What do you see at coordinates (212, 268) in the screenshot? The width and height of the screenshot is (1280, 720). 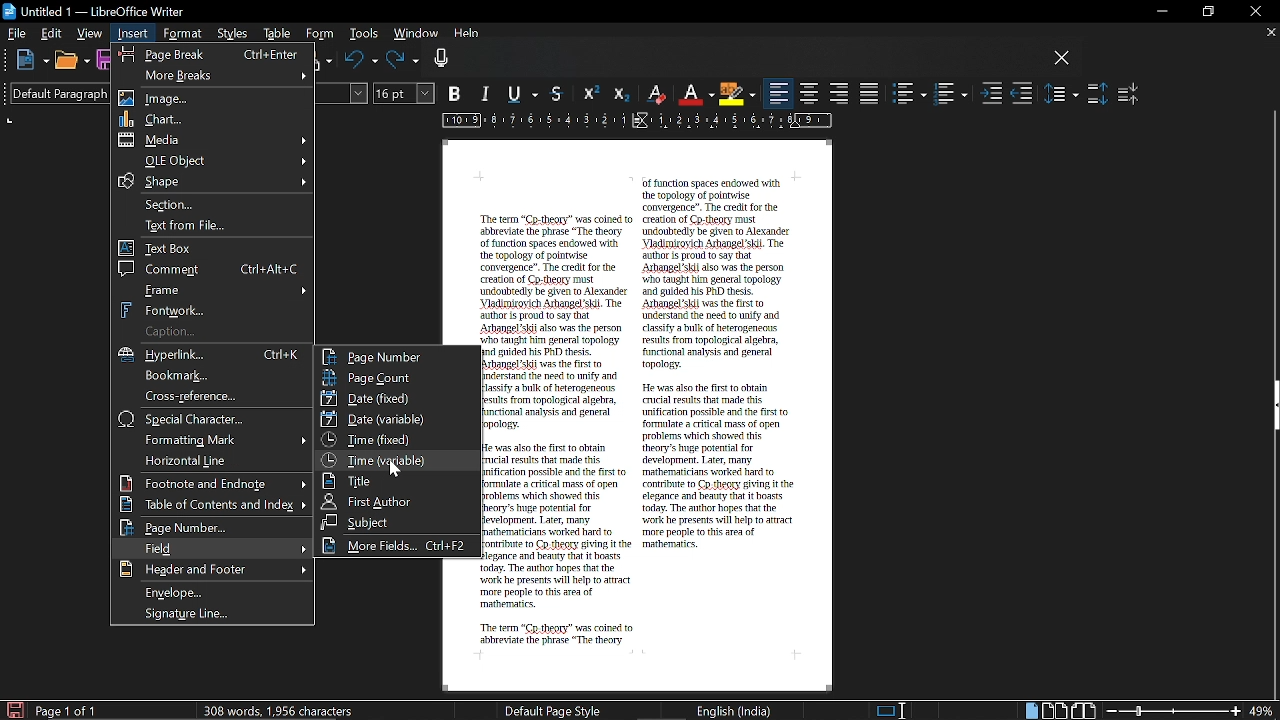 I see `Comment` at bounding box center [212, 268].